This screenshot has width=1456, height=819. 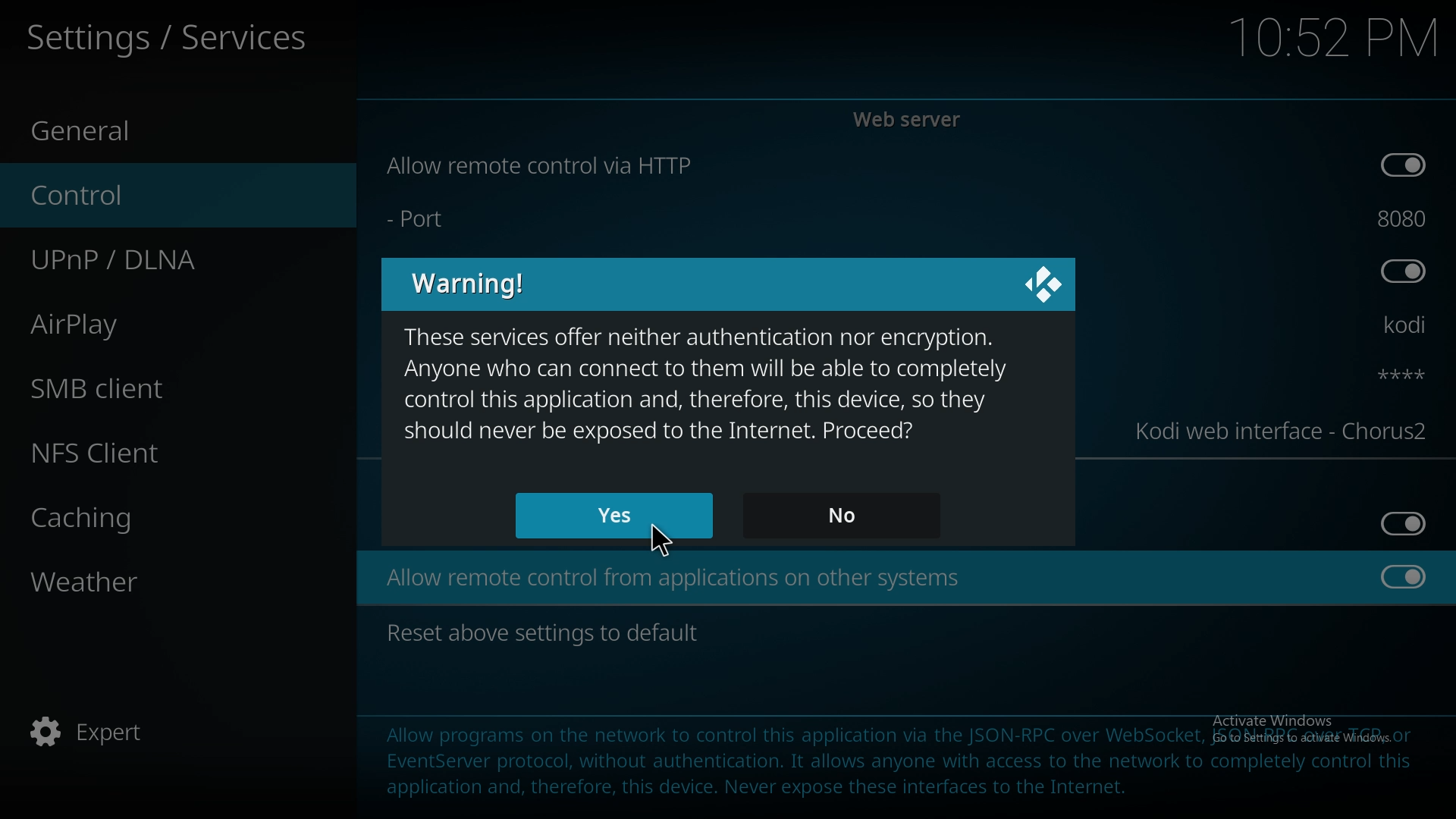 I want to click on web server, so click(x=912, y=119).